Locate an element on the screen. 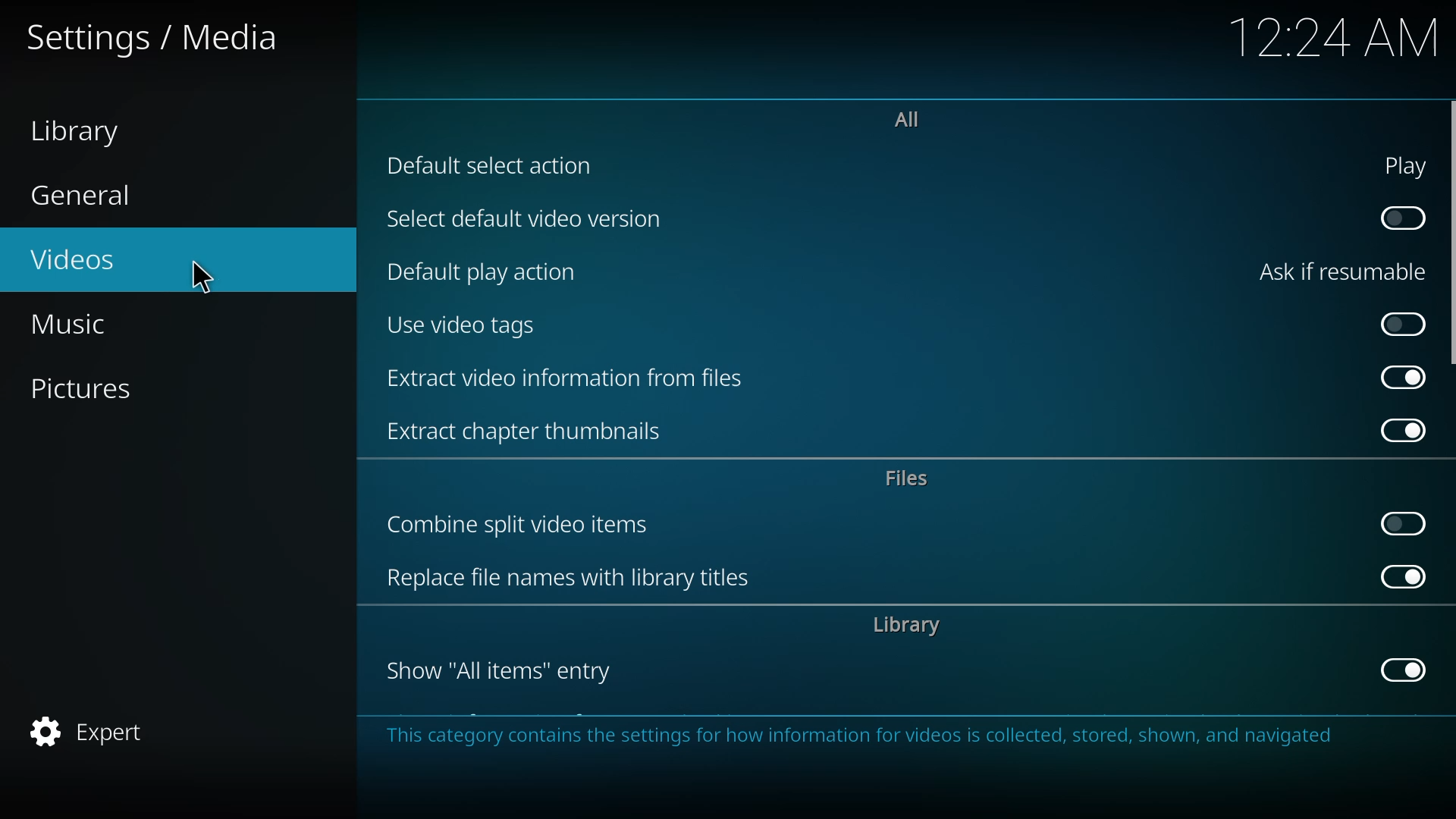 The width and height of the screenshot is (1456, 819). files is located at coordinates (910, 479).